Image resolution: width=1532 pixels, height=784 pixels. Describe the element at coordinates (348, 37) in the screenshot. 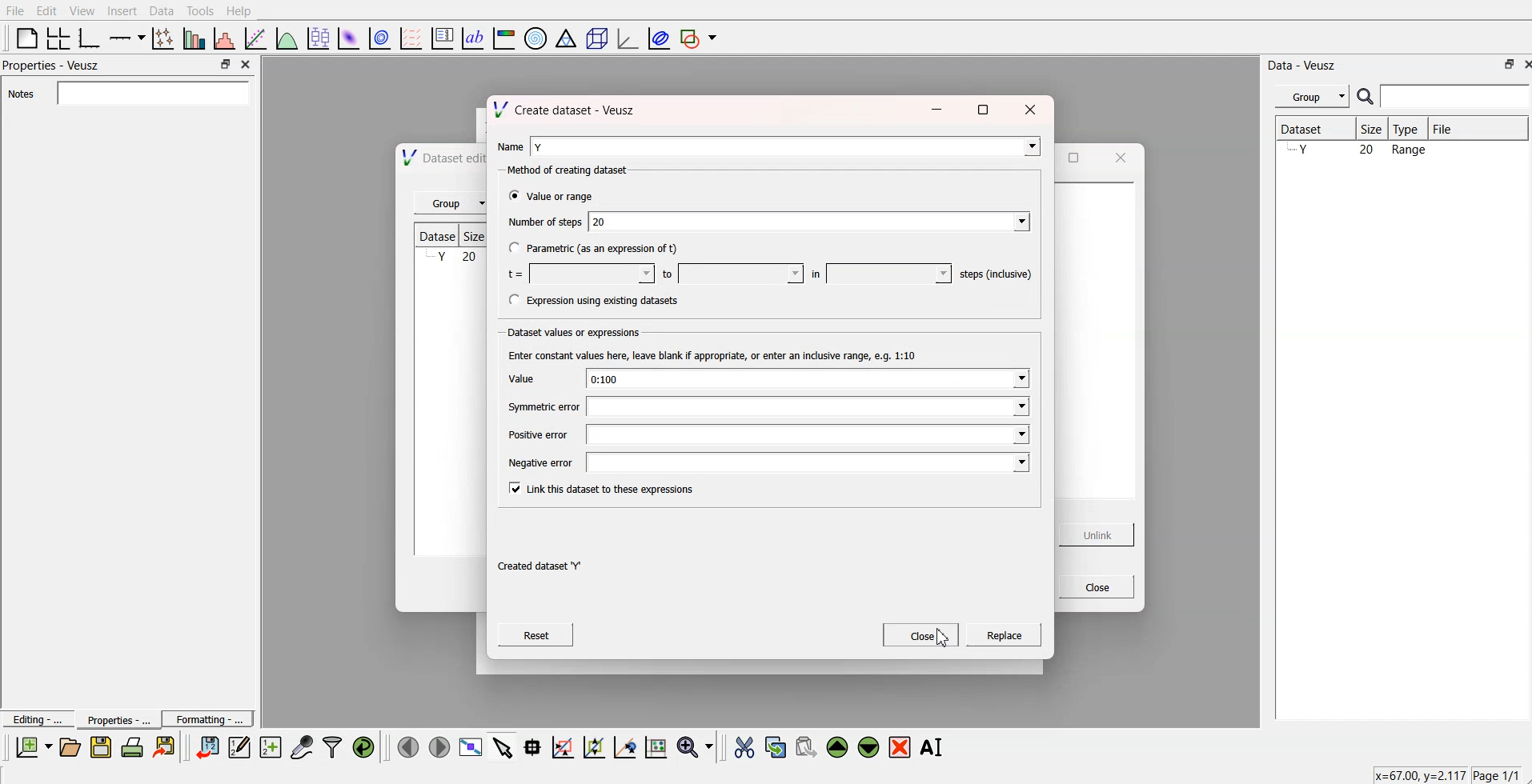

I see `plot a 2d dataset as an` at that location.